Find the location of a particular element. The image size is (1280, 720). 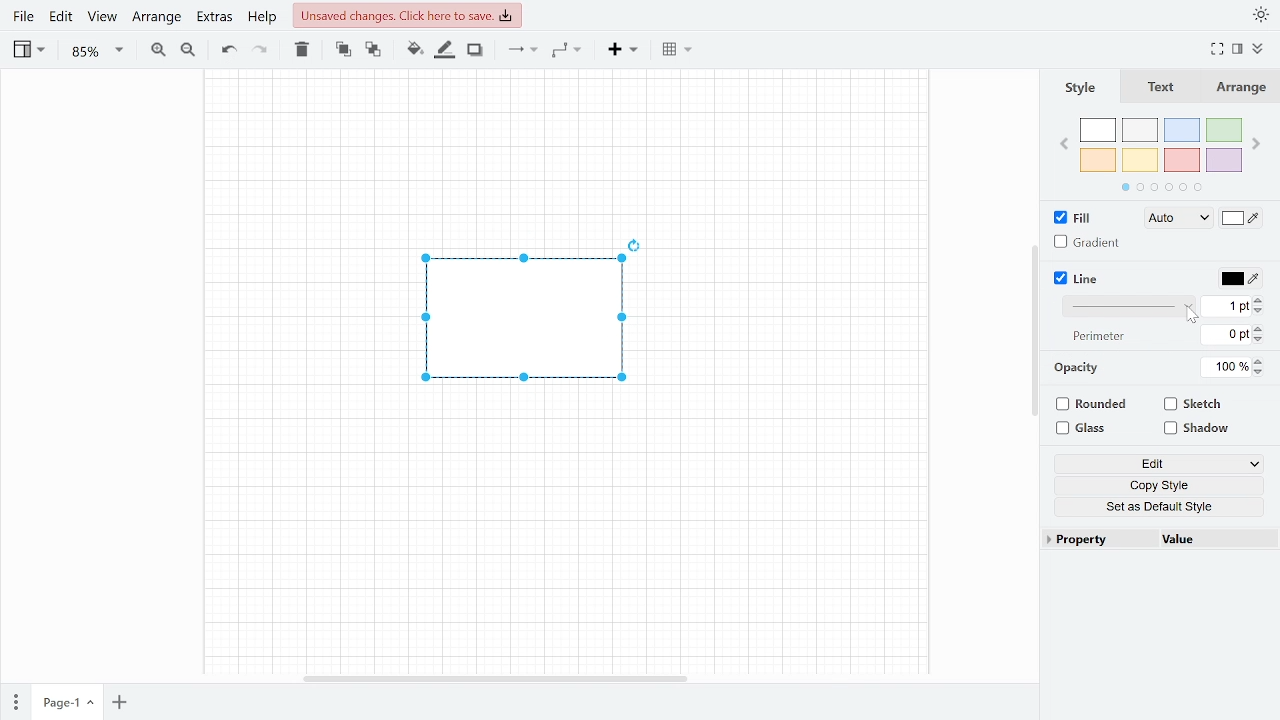

Line width is located at coordinates (1226, 307).